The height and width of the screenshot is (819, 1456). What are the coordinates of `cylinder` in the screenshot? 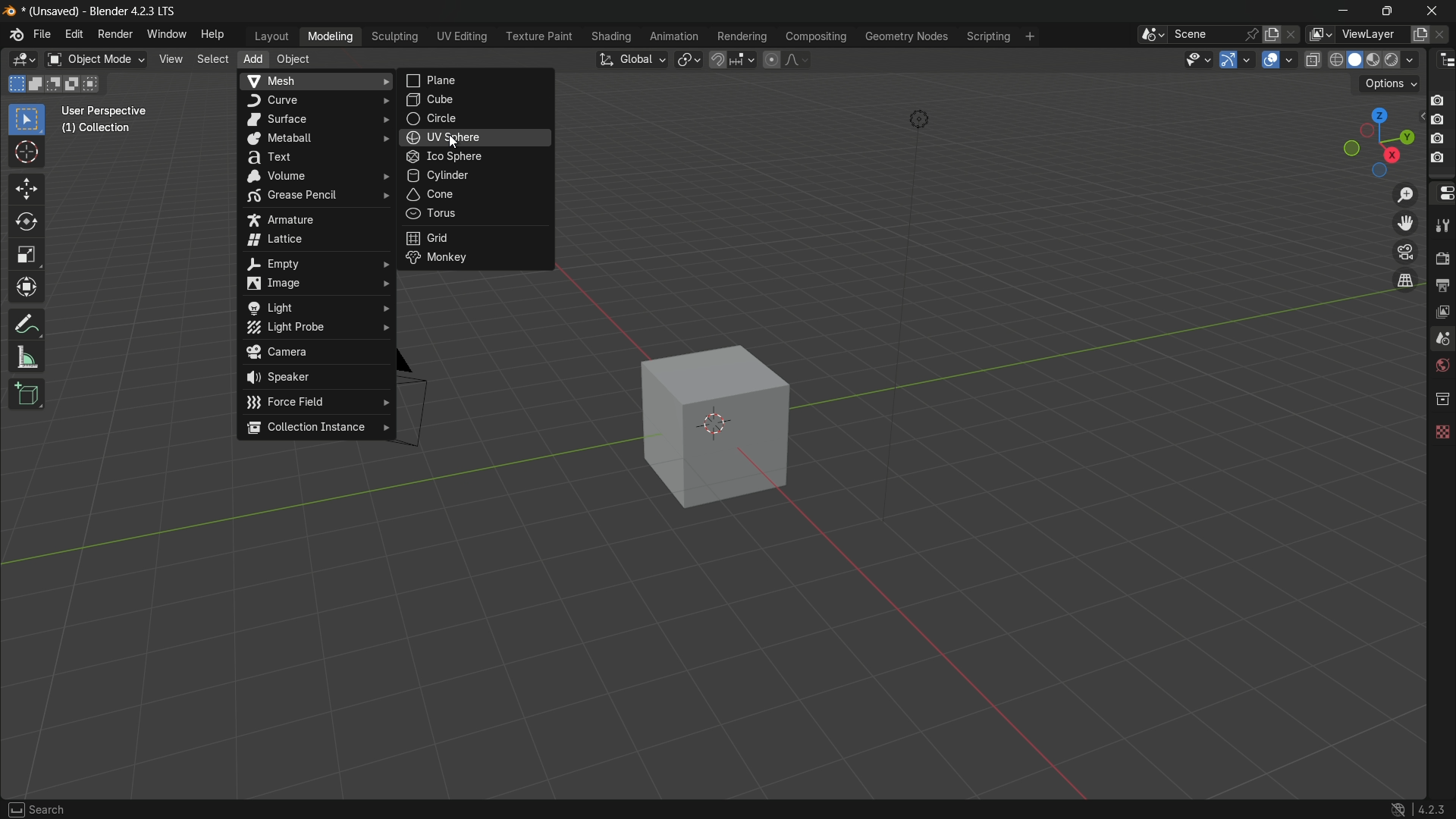 It's located at (477, 176).